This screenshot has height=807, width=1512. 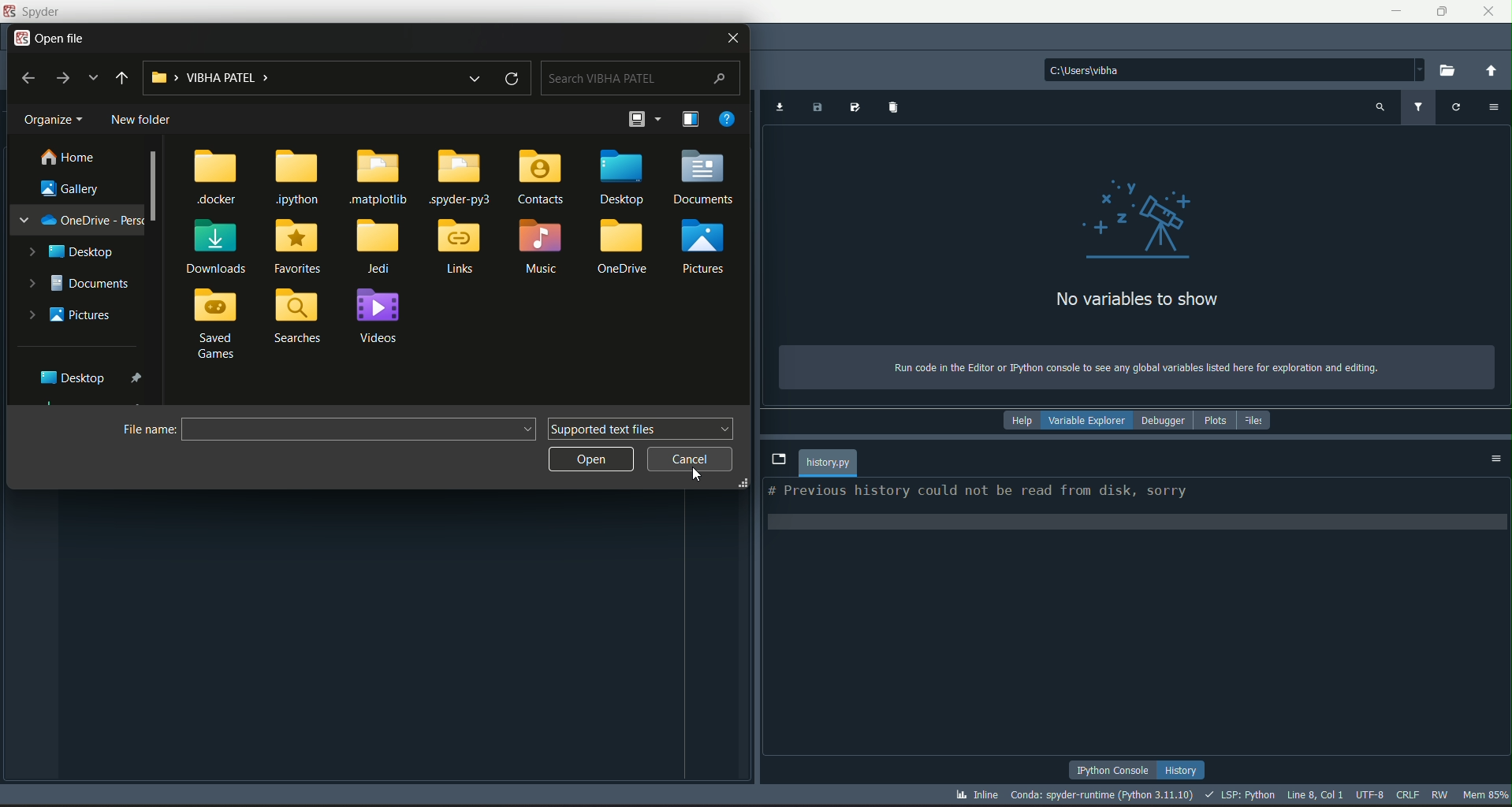 What do you see at coordinates (1488, 12) in the screenshot?
I see `close` at bounding box center [1488, 12].